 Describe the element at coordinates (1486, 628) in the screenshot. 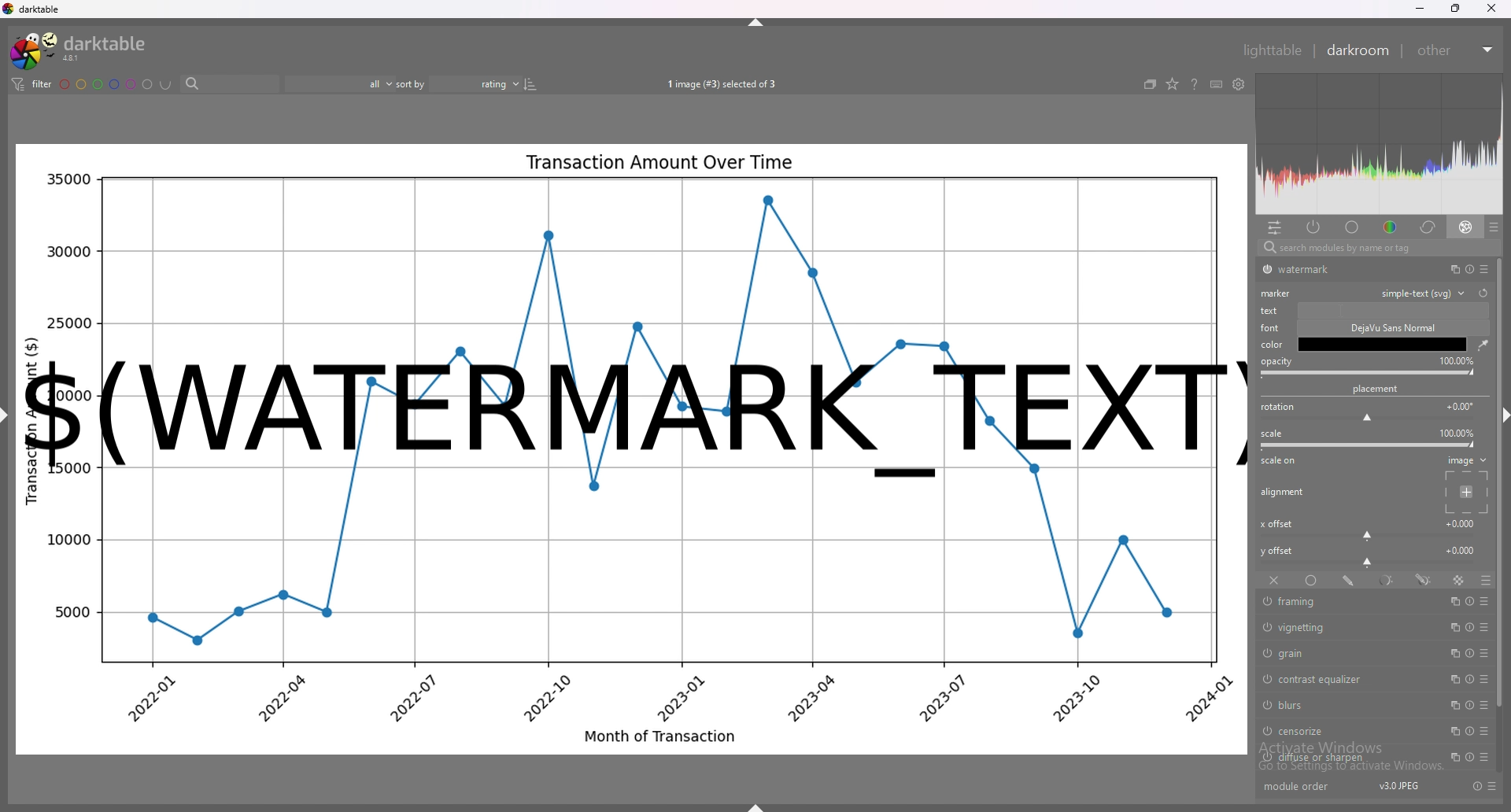

I see `presets` at that location.